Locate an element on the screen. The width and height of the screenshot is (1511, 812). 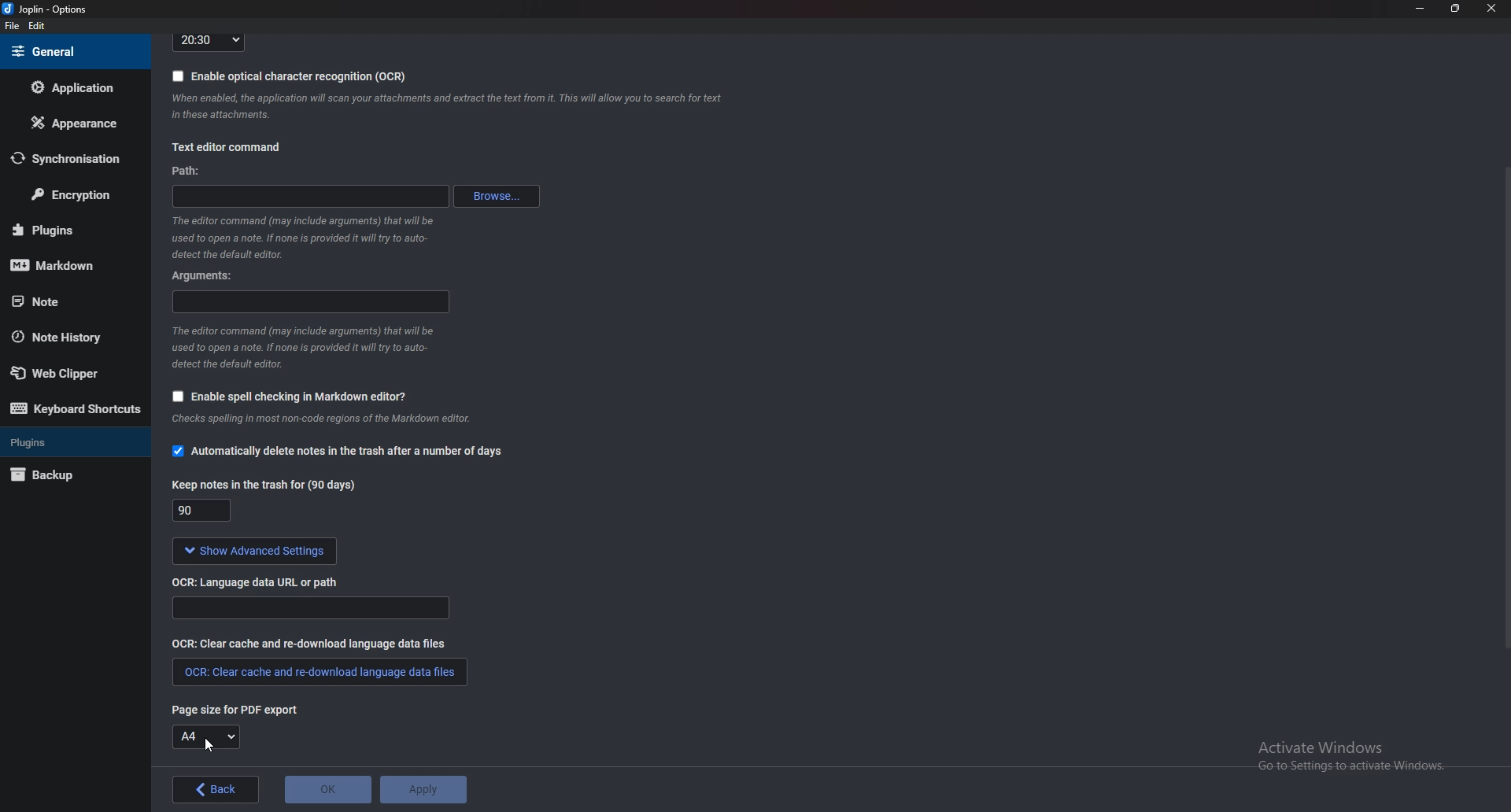
Page size for P D F export is located at coordinates (227, 709).